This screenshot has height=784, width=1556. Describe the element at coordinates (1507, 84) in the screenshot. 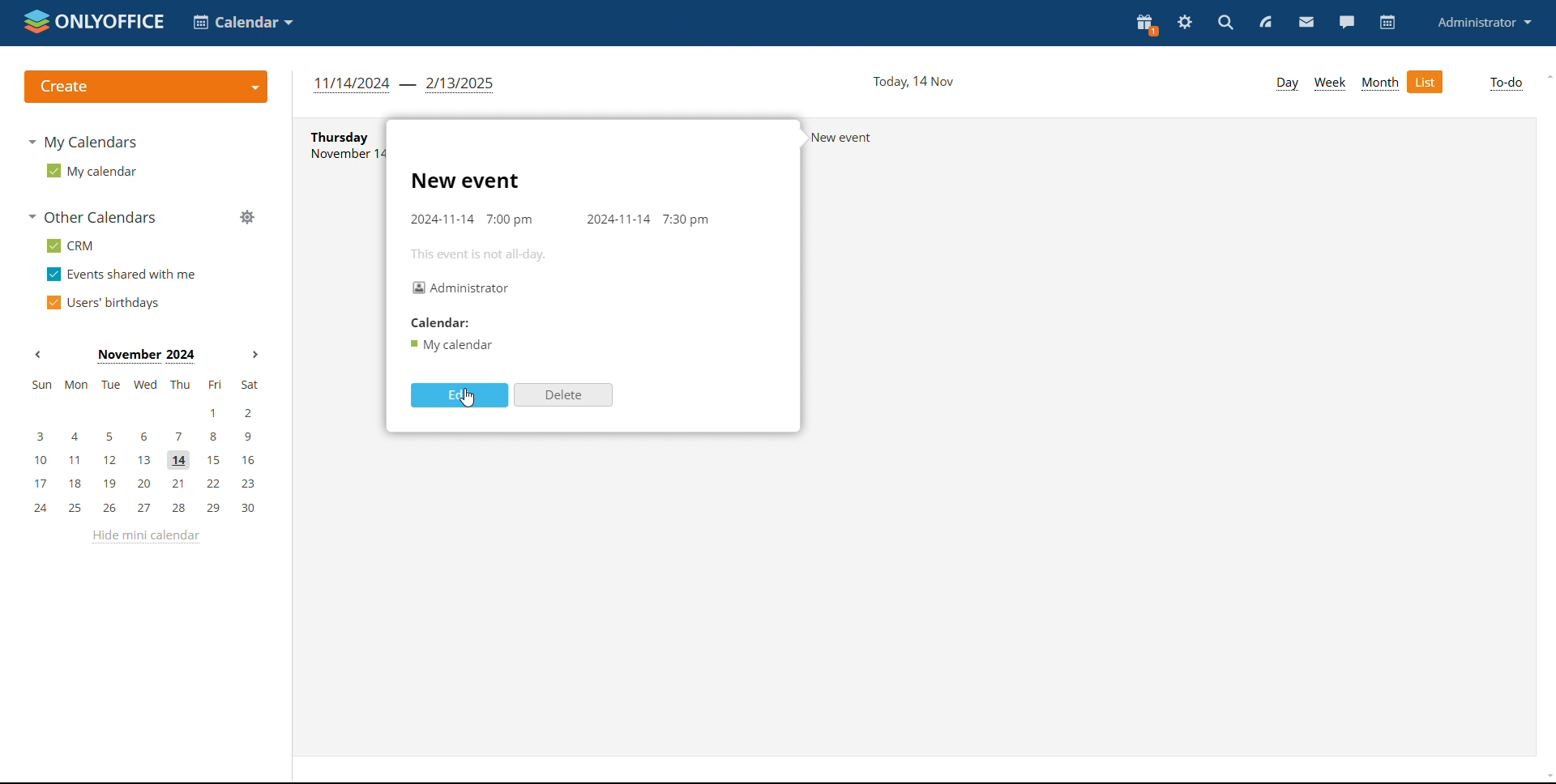

I see `to-do` at that location.